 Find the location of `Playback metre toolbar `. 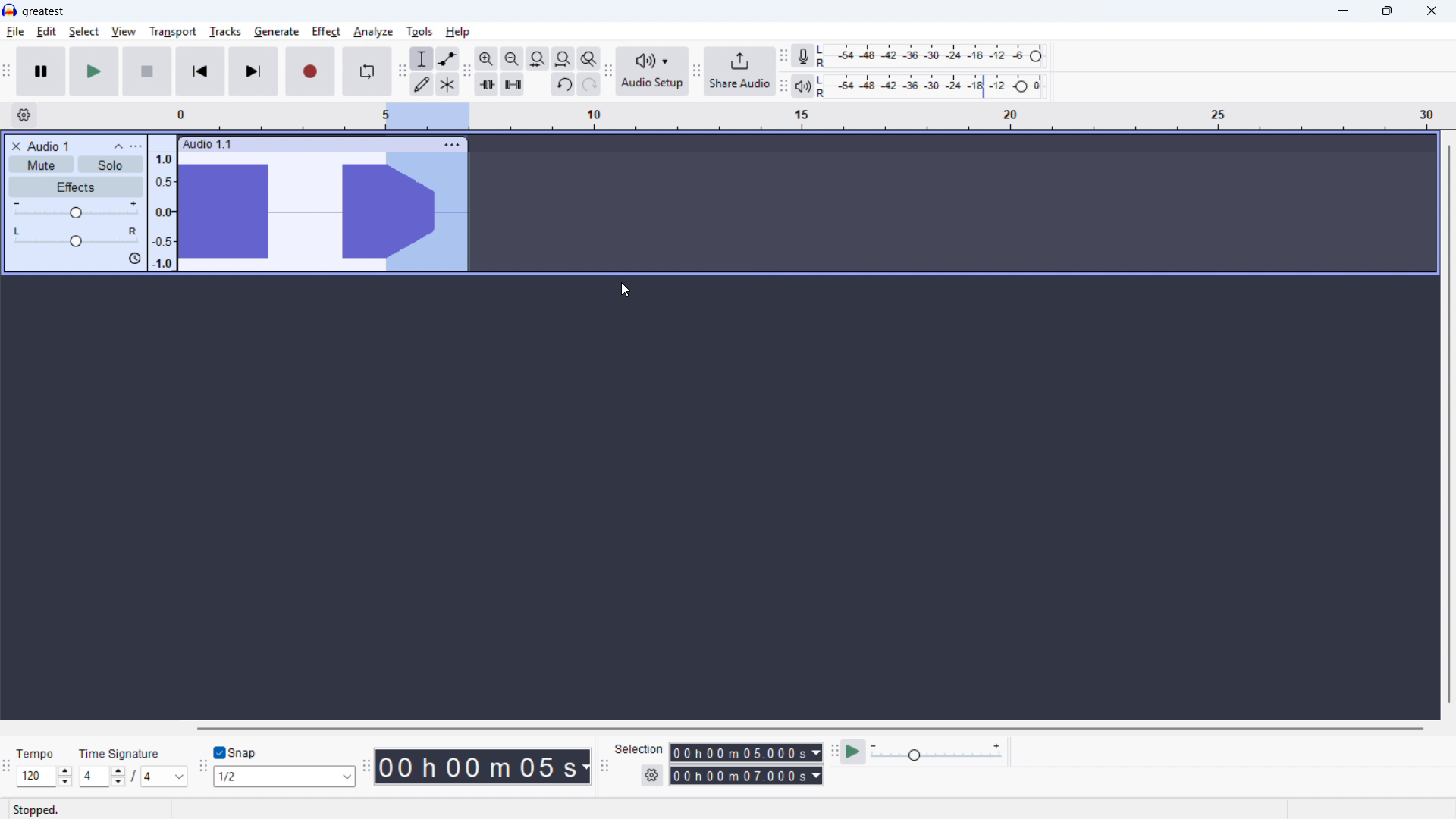

Playback metre toolbar  is located at coordinates (783, 87).